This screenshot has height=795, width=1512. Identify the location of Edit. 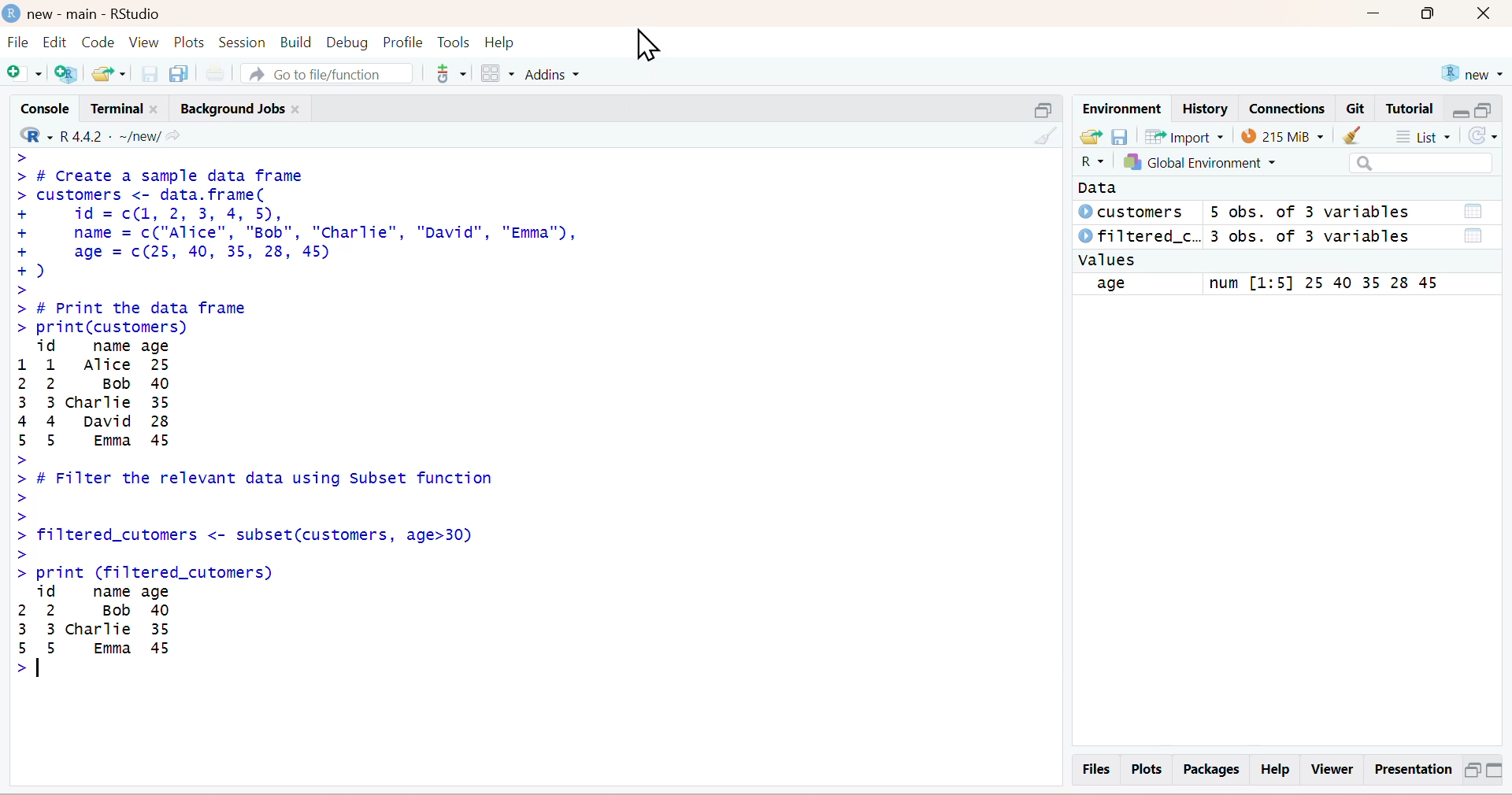
(57, 42).